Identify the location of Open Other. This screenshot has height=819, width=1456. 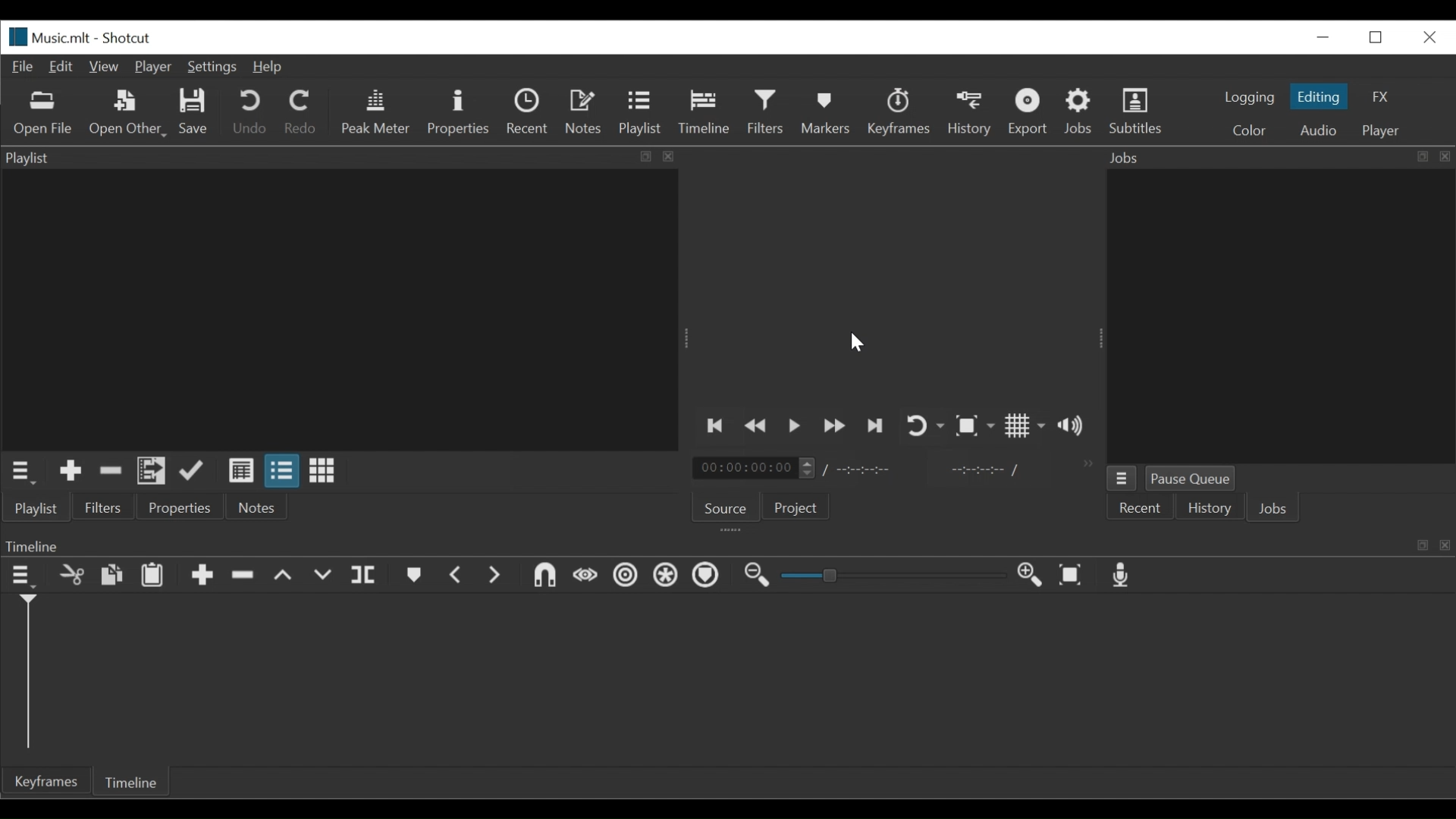
(125, 113).